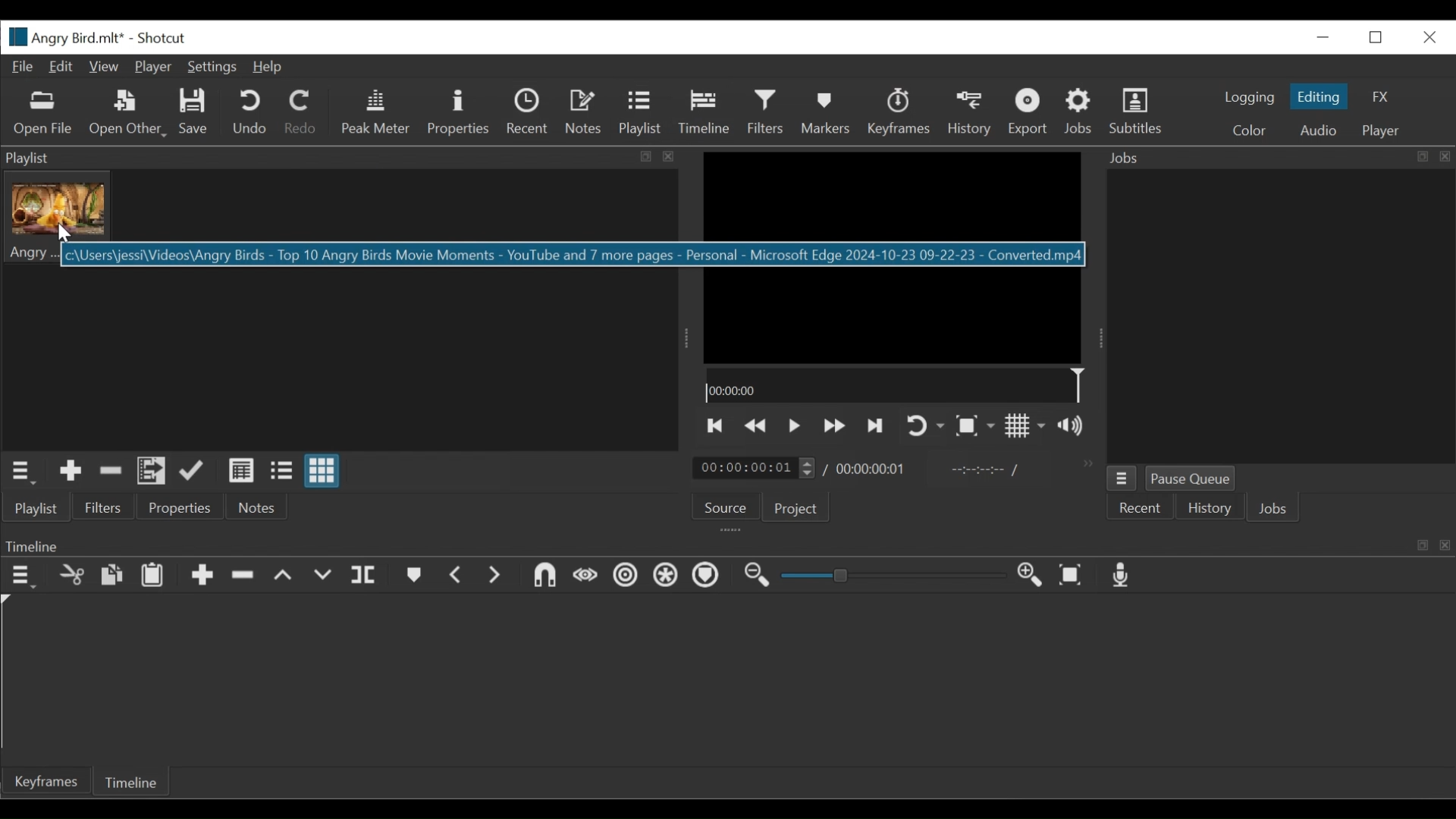 The height and width of the screenshot is (819, 1456). Describe the element at coordinates (212, 67) in the screenshot. I see `Settings` at that location.